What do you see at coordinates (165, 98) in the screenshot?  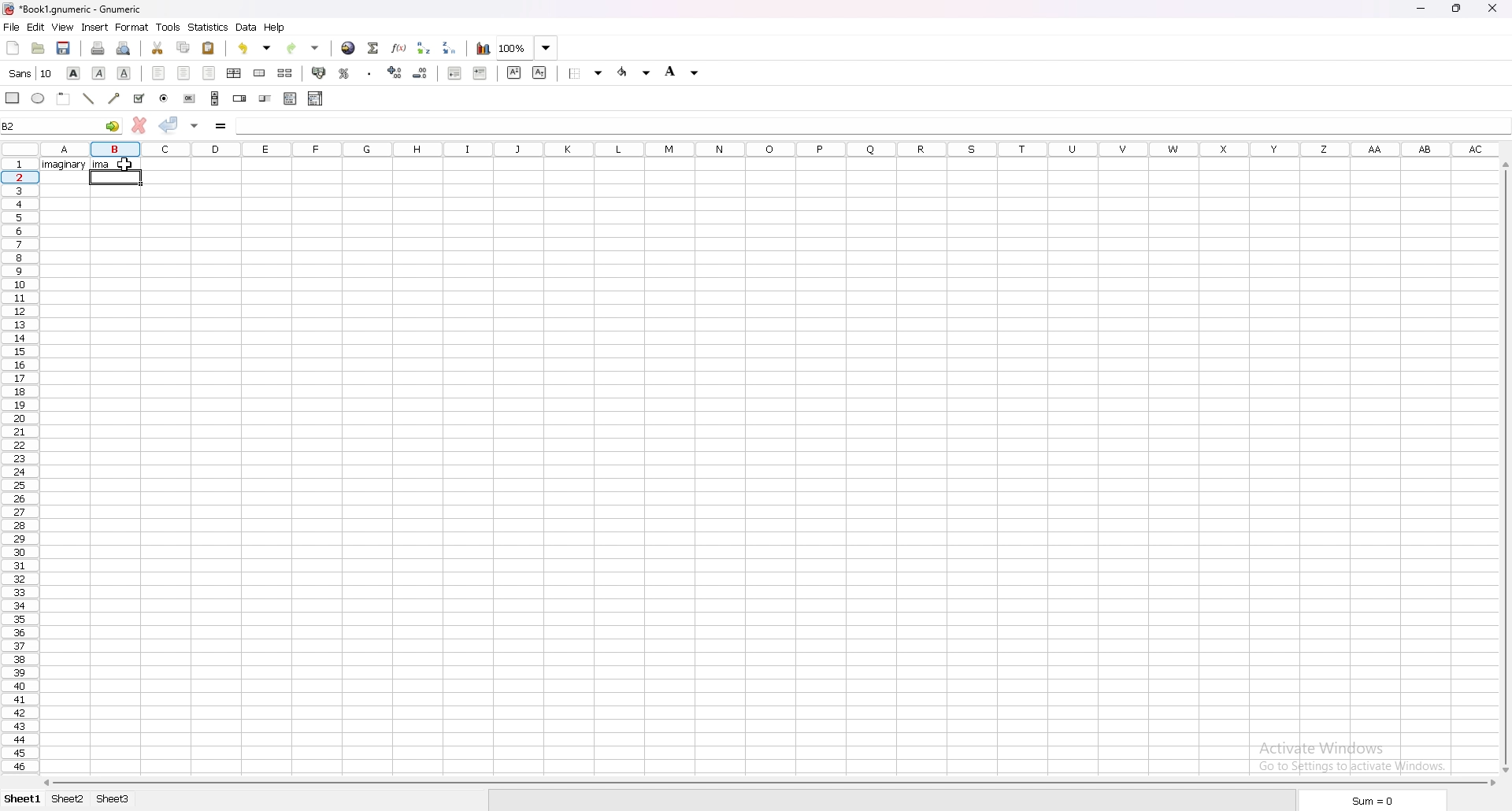 I see `radio button` at bounding box center [165, 98].